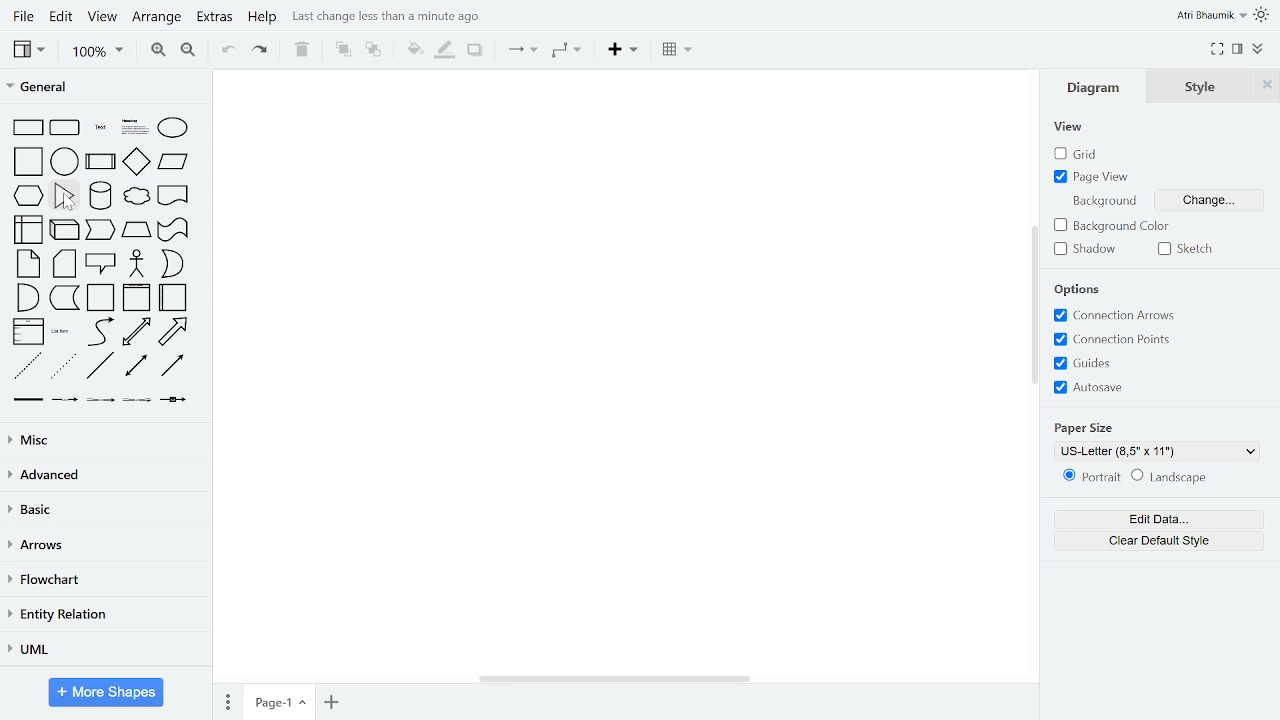 This screenshot has height=720, width=1280. I want to click on connector with symbol, so click(173, 401).